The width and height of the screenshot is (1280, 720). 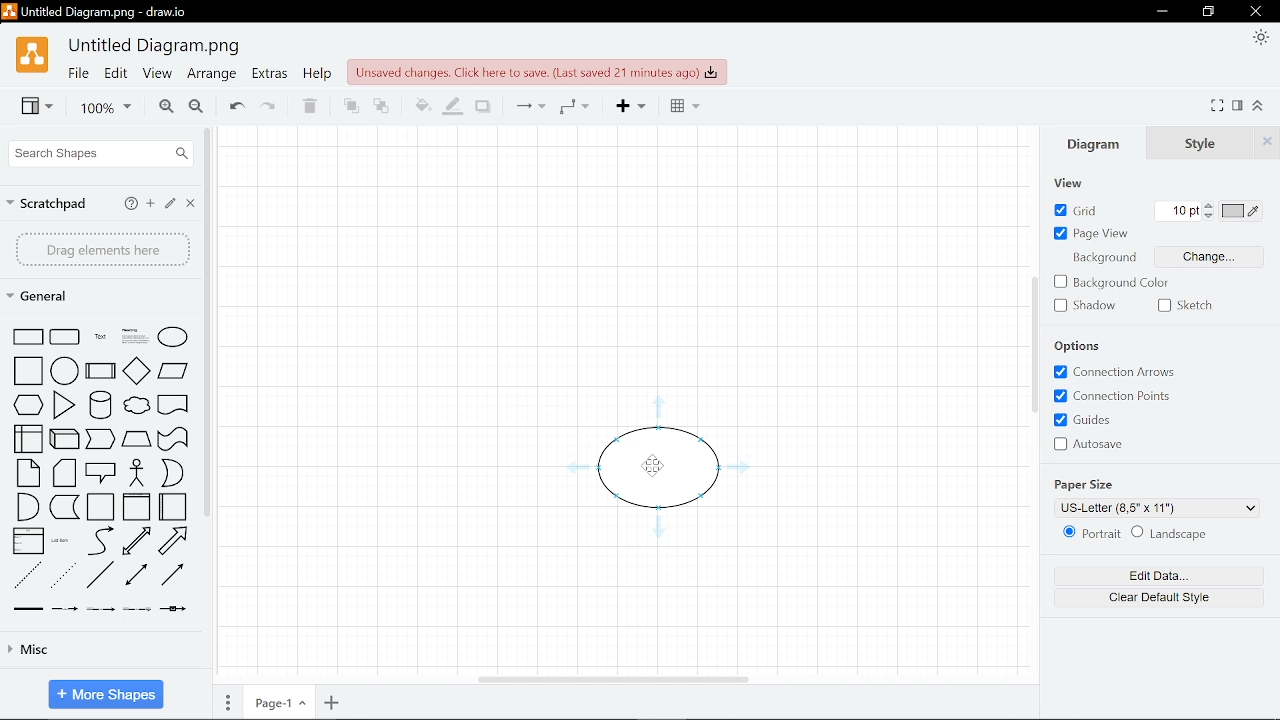 What do you see at coordinates (307, 105) in the screenshot?
I see `Delete` at bounding box center [307, 105].